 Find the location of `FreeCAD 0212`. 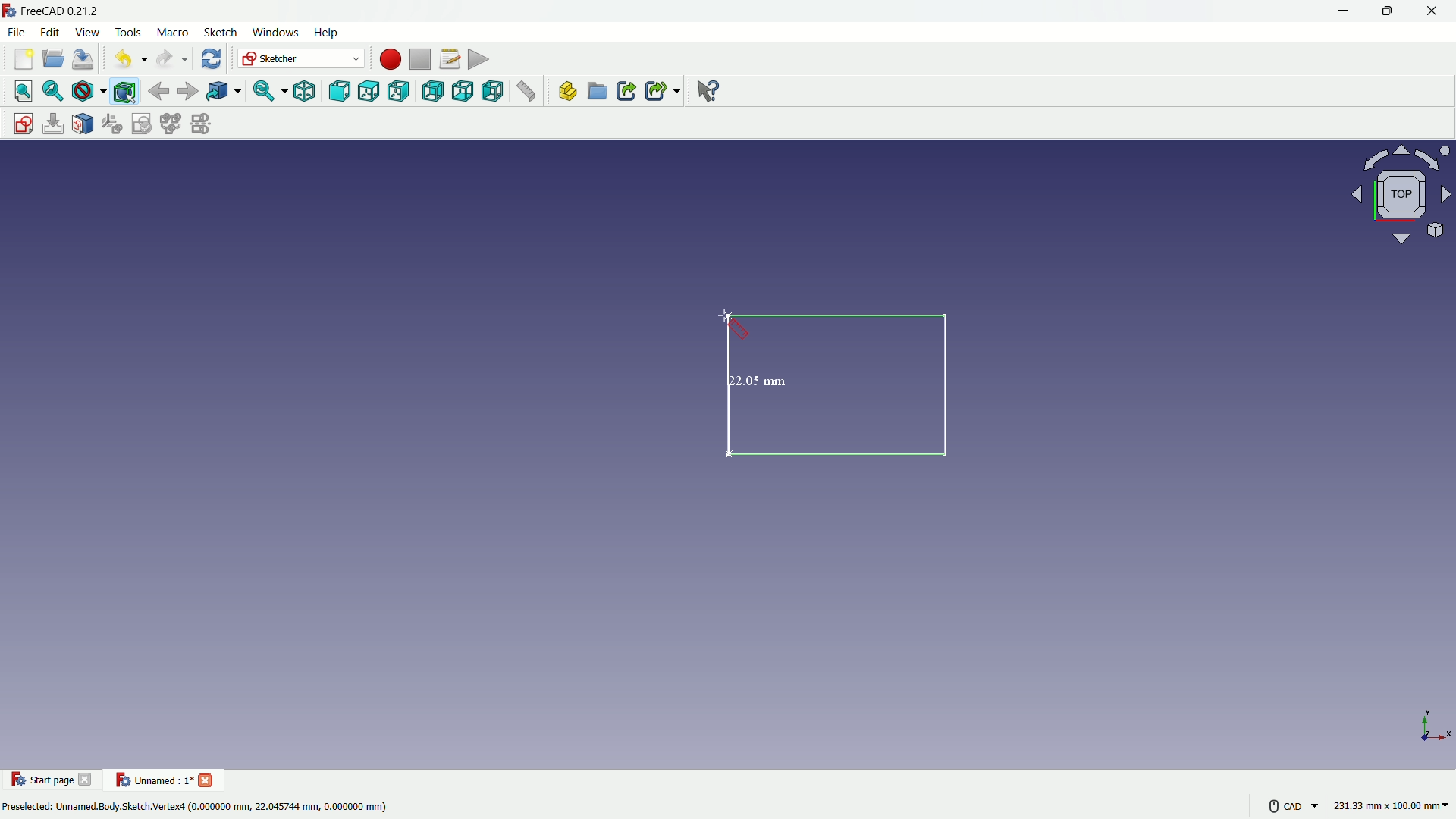

FreeCAD 0212 is located at coordinates (72, 11).